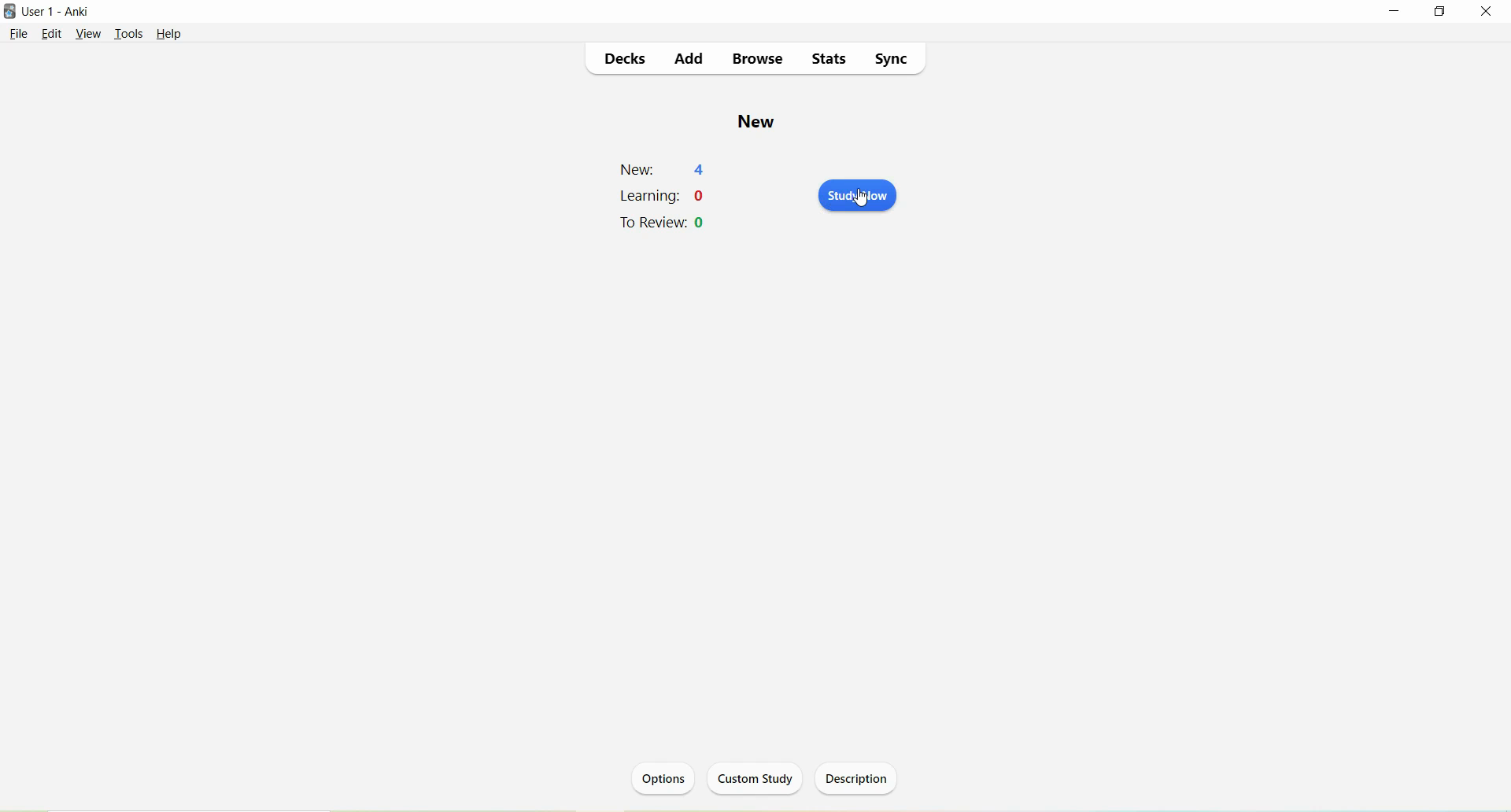 The image size is (1511, 812). I want to click on Decks, so click(629, 61).